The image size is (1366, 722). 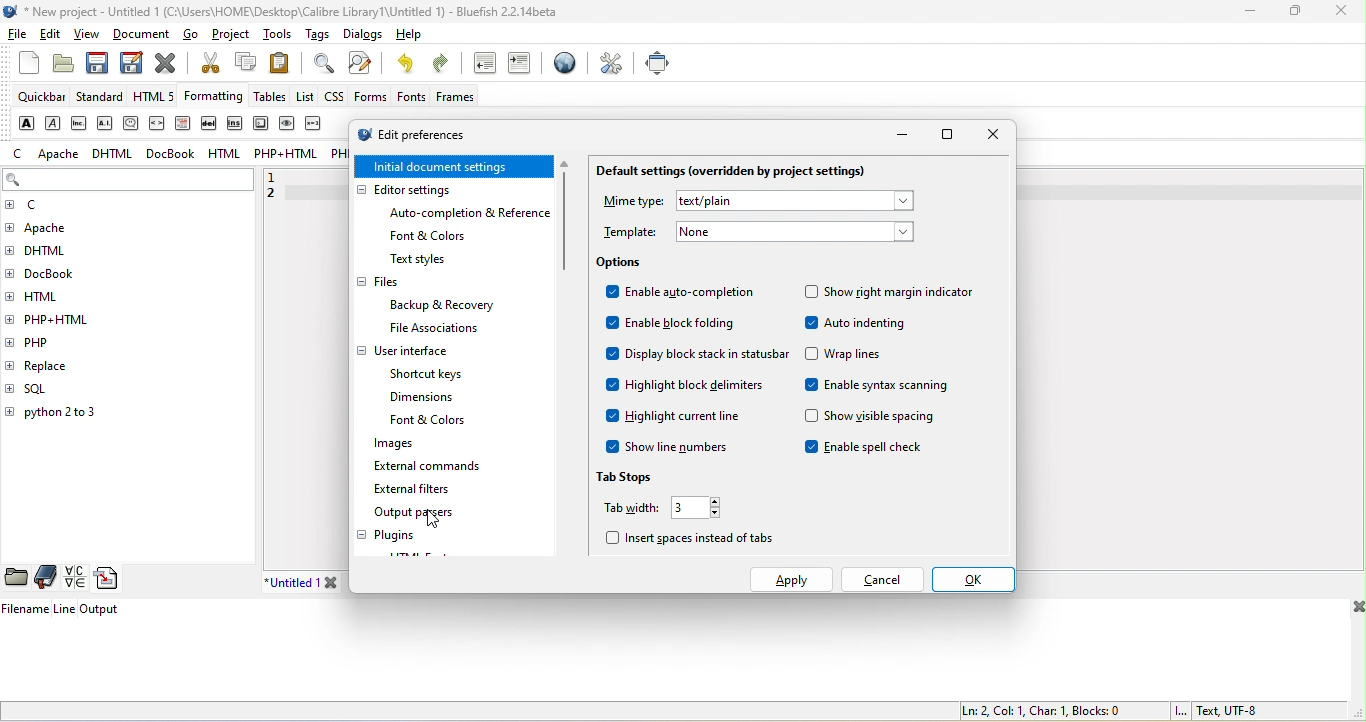 I want to click on tags, so click(x=315, y=34).